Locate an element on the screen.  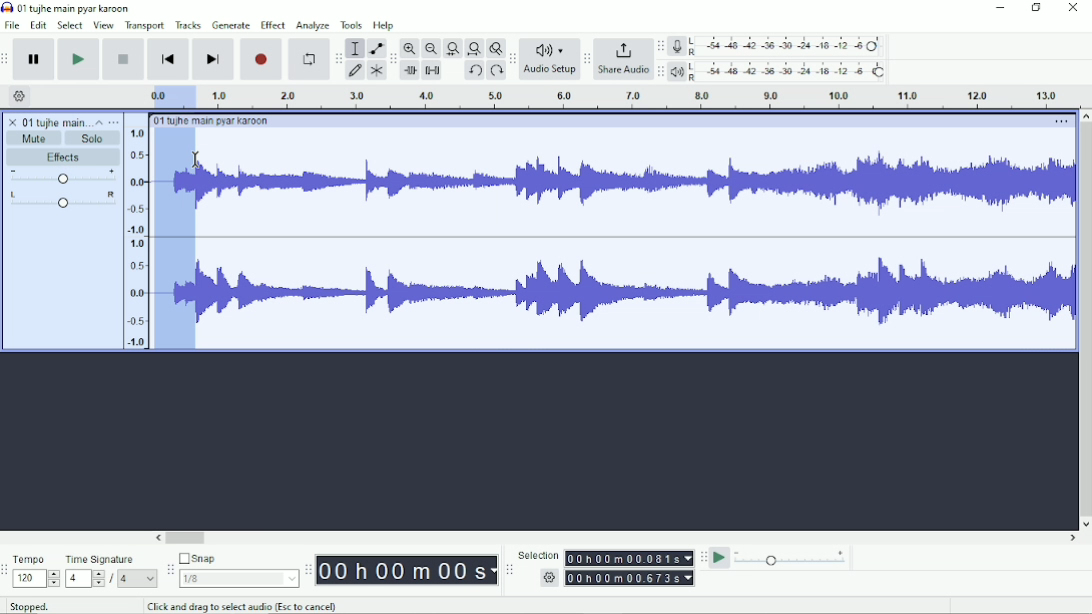
Record is located at coordinates (262, 59).